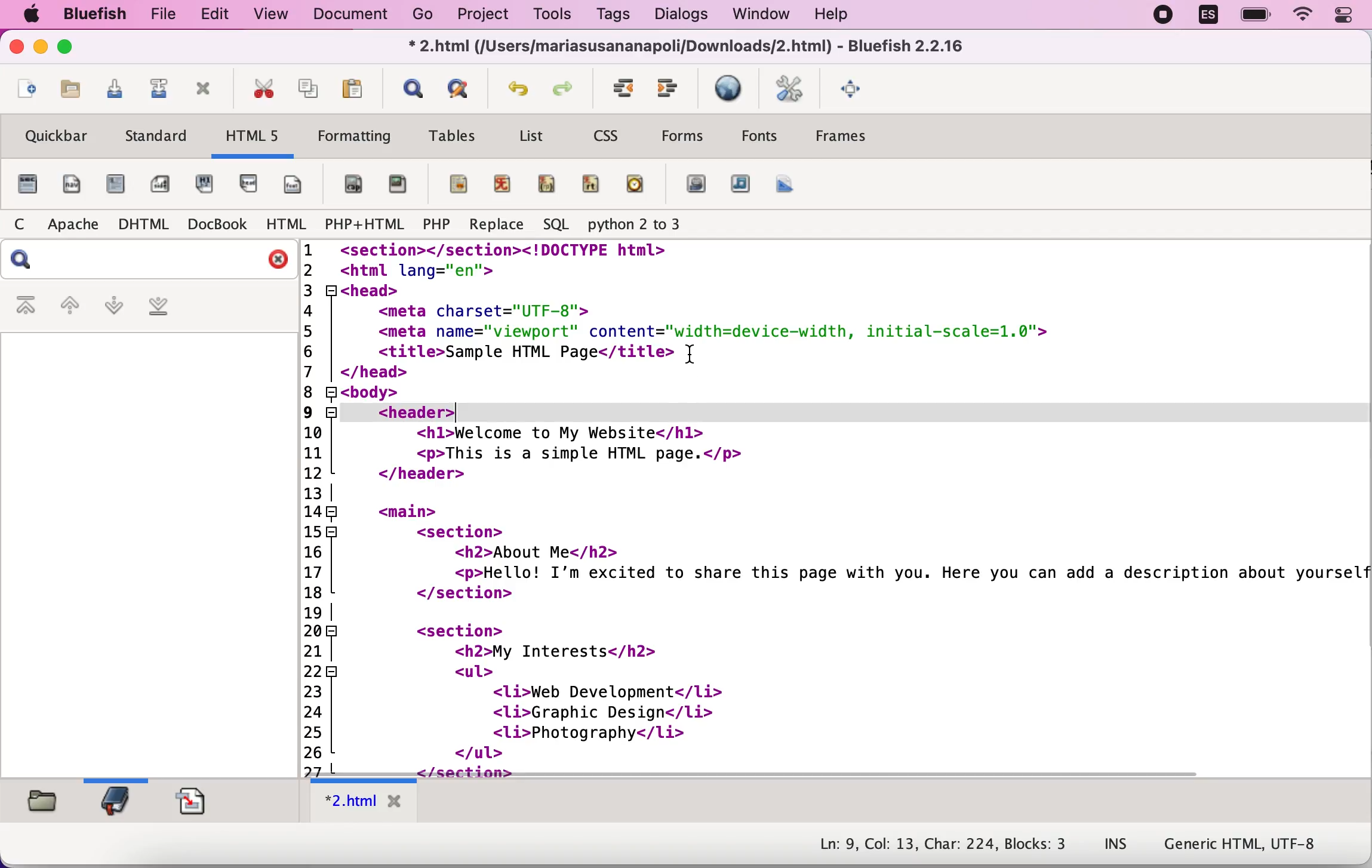 The width and height of the screenshot is (1372, 868). I want to click on help, so click(853, 13).